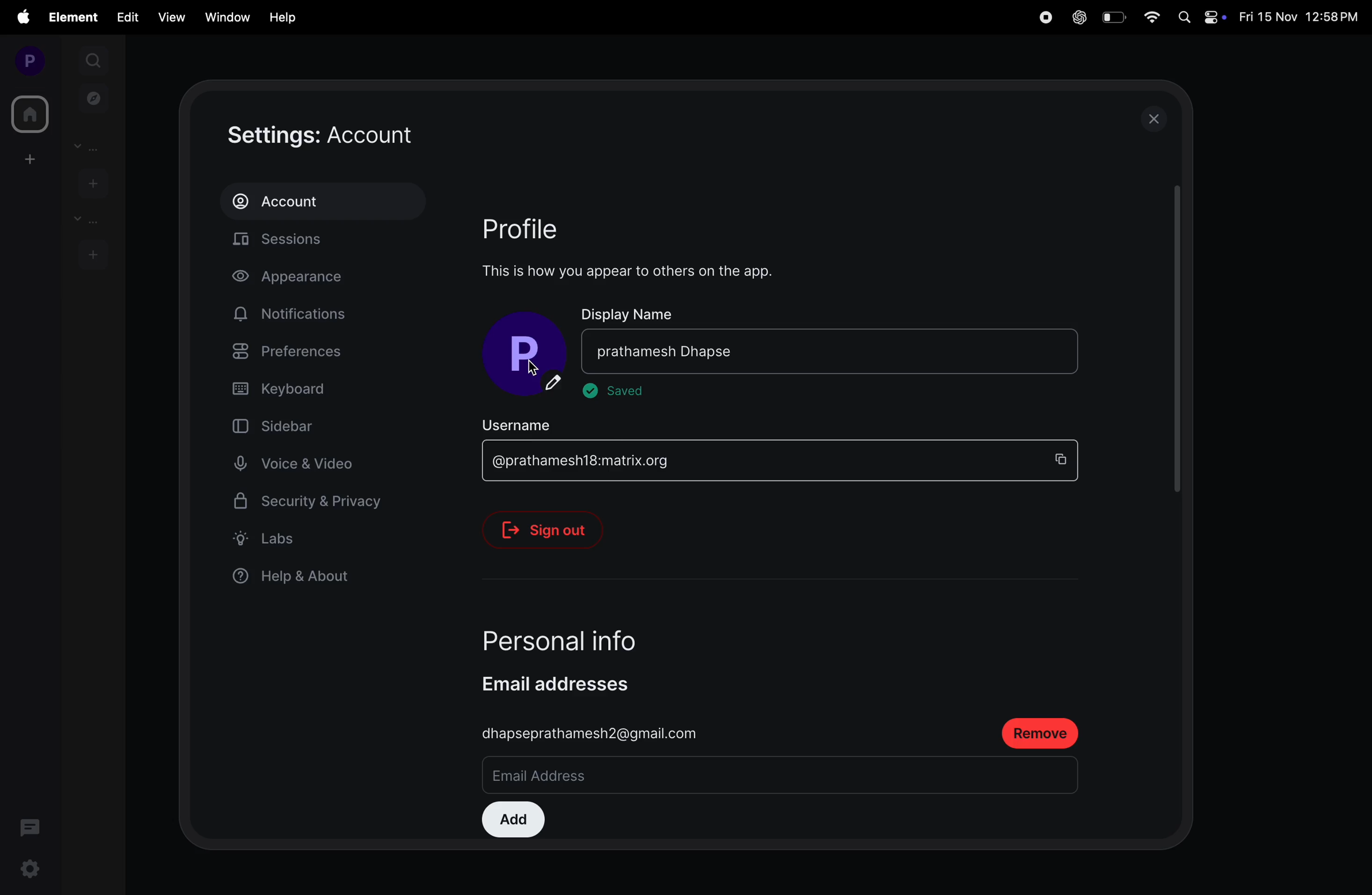 The width and height of the screenshot is (1372, 895). Describe the element at coordinates (314, 354) in the screenshot. I see `prefrences` at that location.